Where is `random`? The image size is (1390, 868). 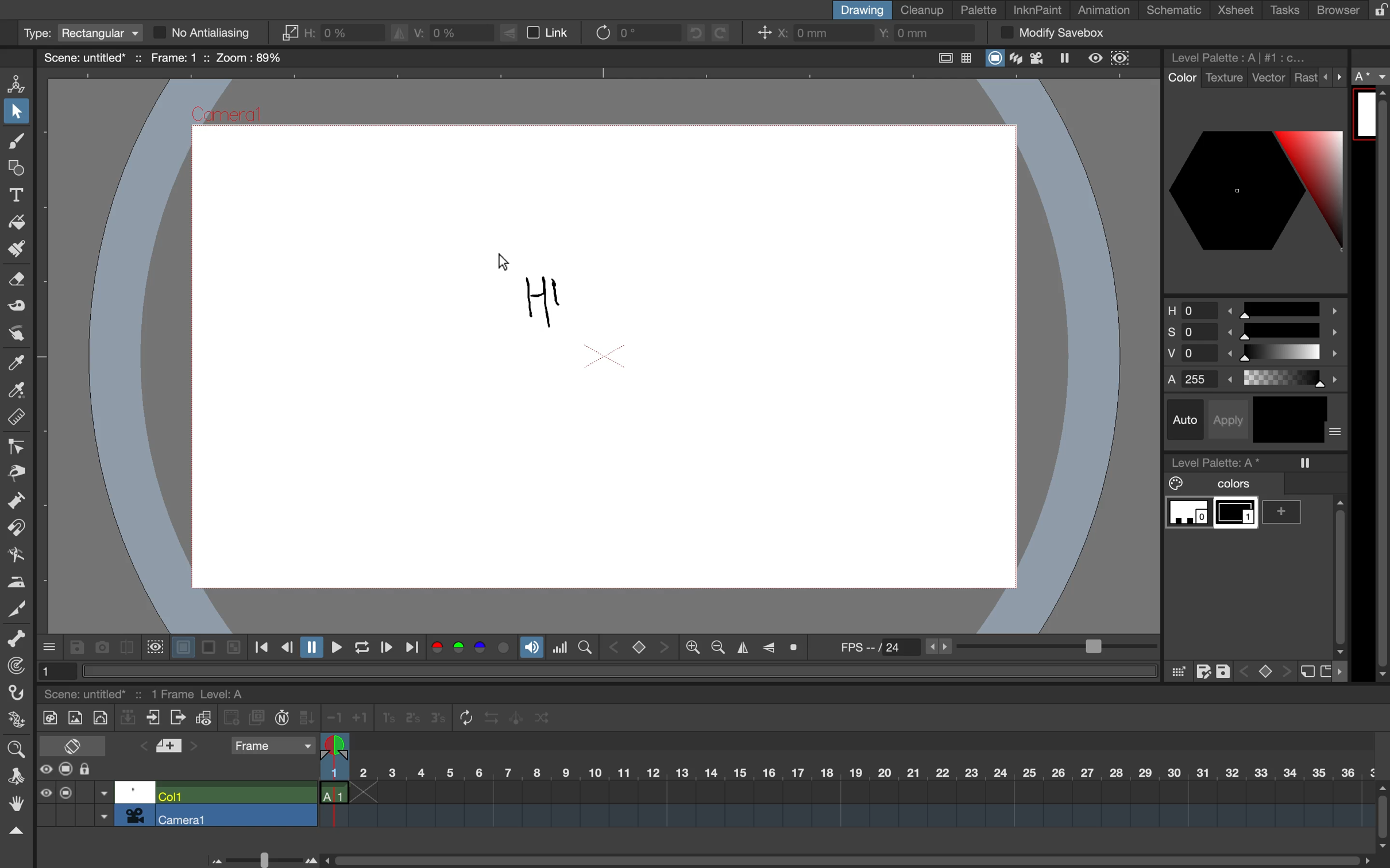 random is located at coordinates (543, 720).